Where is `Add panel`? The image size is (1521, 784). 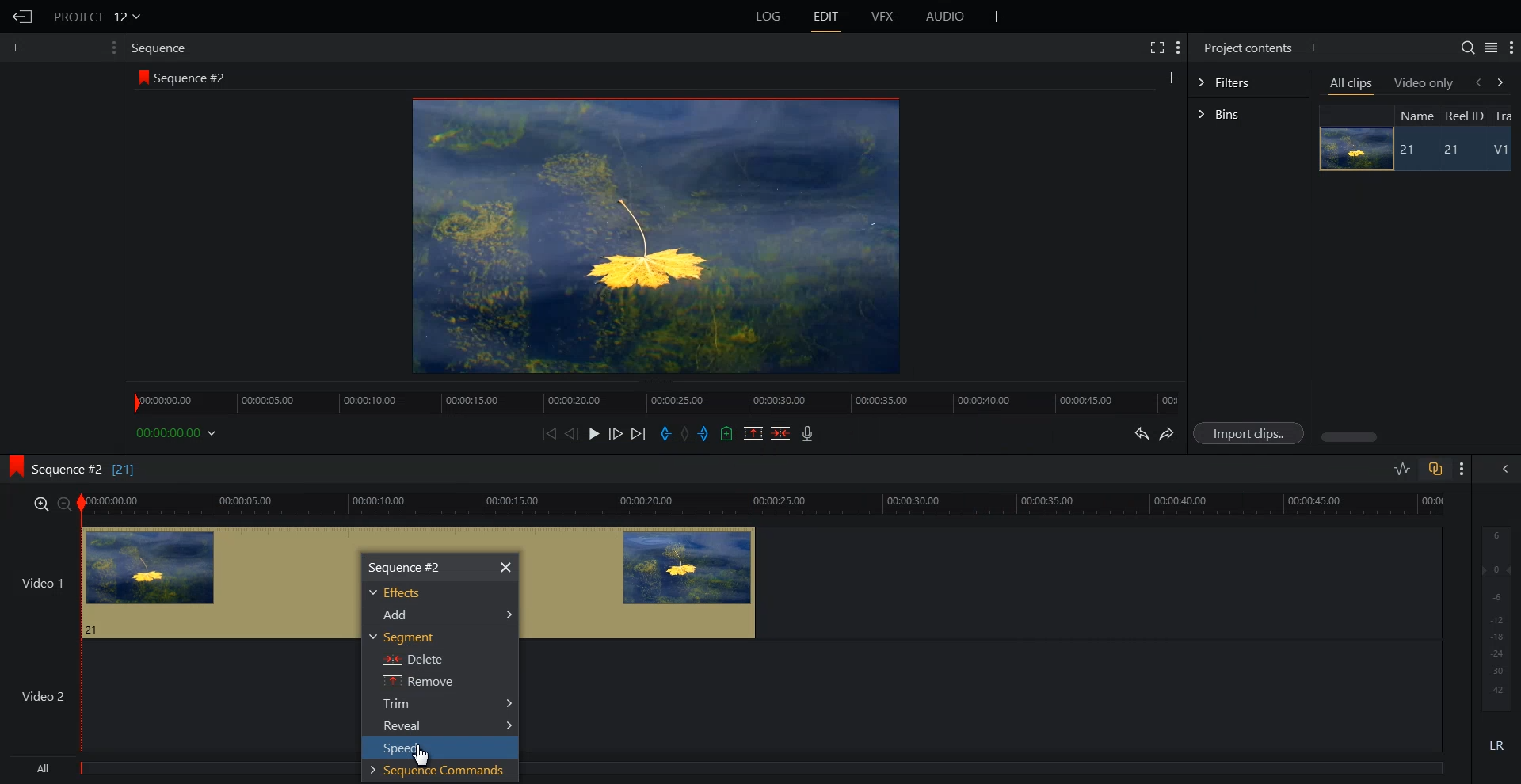 Add panel is located at coordinates (1171, 77).